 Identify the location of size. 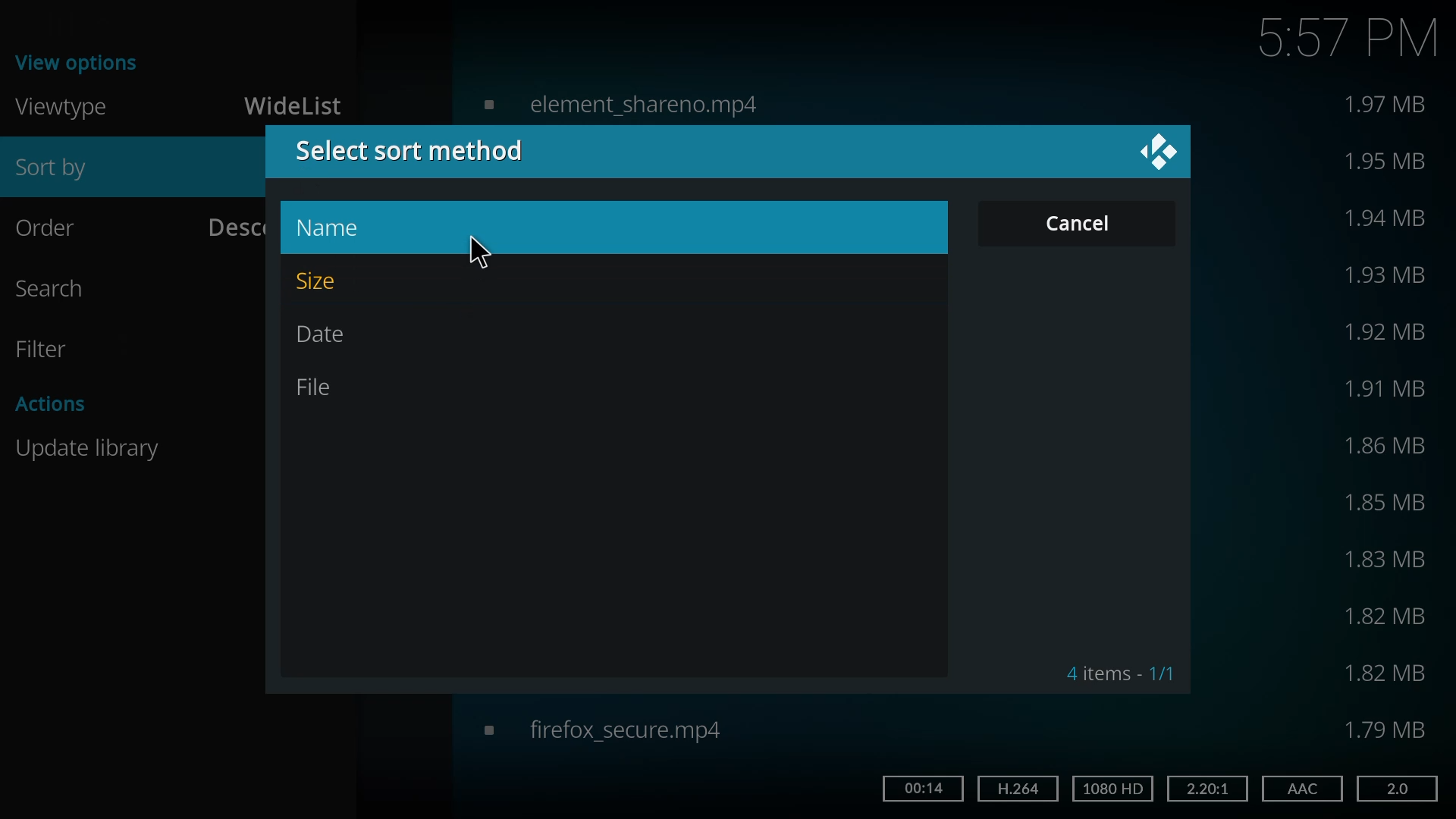
(1384, 161).